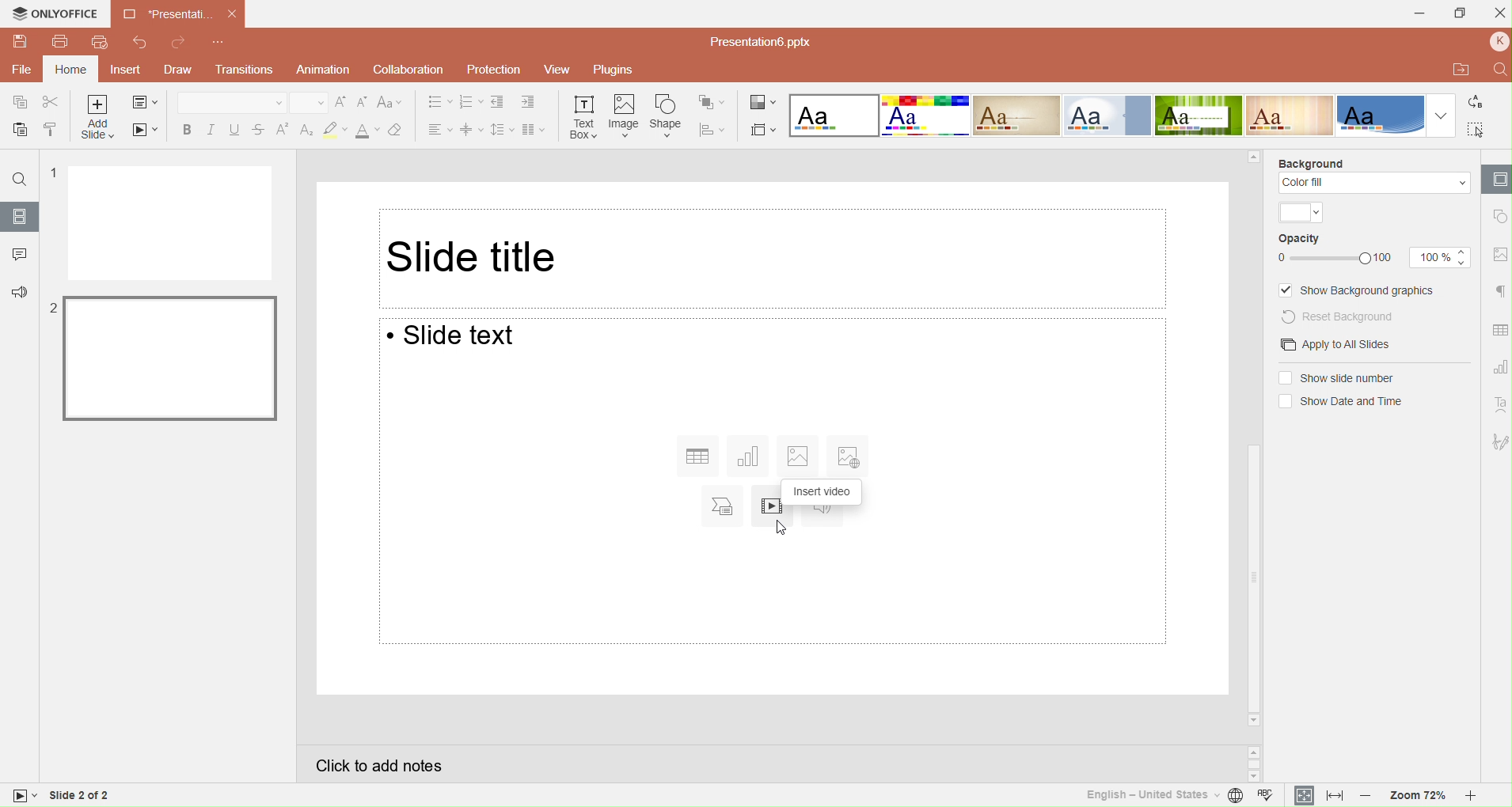  What do you see at coordinates (260, 128) in the screenshot?
I see `Strikethrough` at bounding box center [260, 128].